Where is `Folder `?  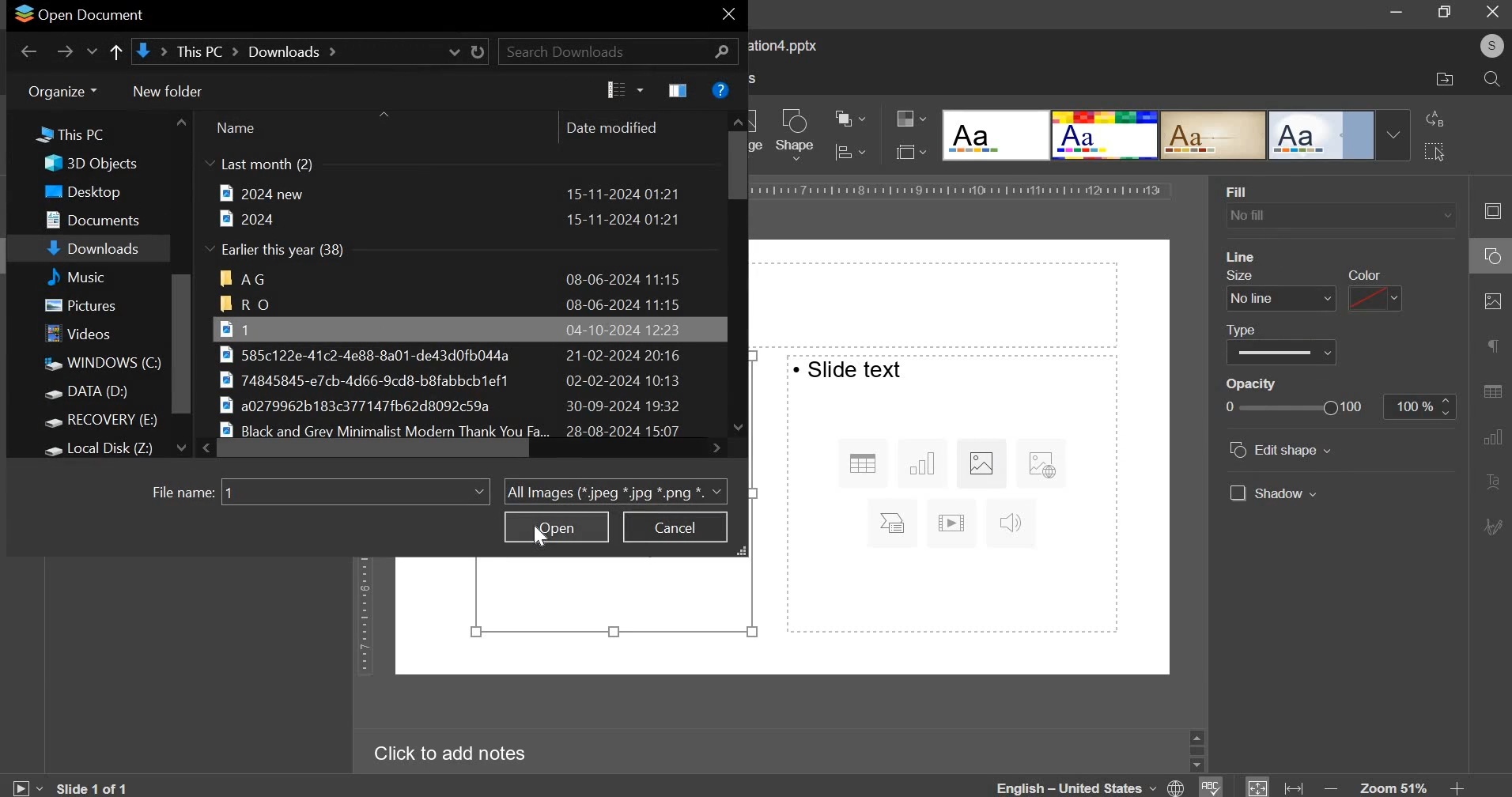 Folder  is located at coordinates (452, 278).